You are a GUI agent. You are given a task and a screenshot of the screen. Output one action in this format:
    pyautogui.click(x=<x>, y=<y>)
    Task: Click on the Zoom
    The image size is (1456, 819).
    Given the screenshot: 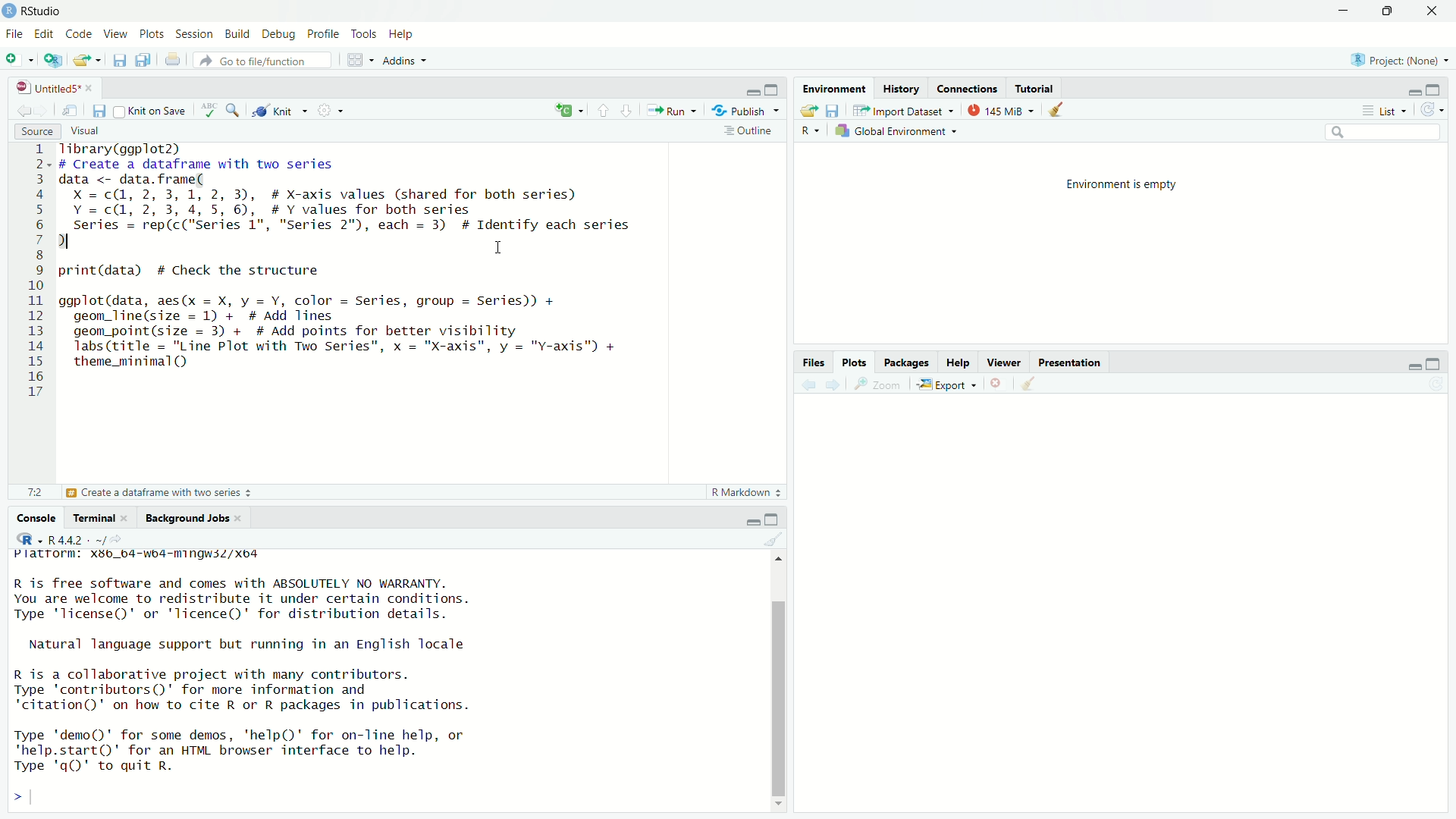 What is the action you would take?
    pyautogui.click(x=877, y=384)
    